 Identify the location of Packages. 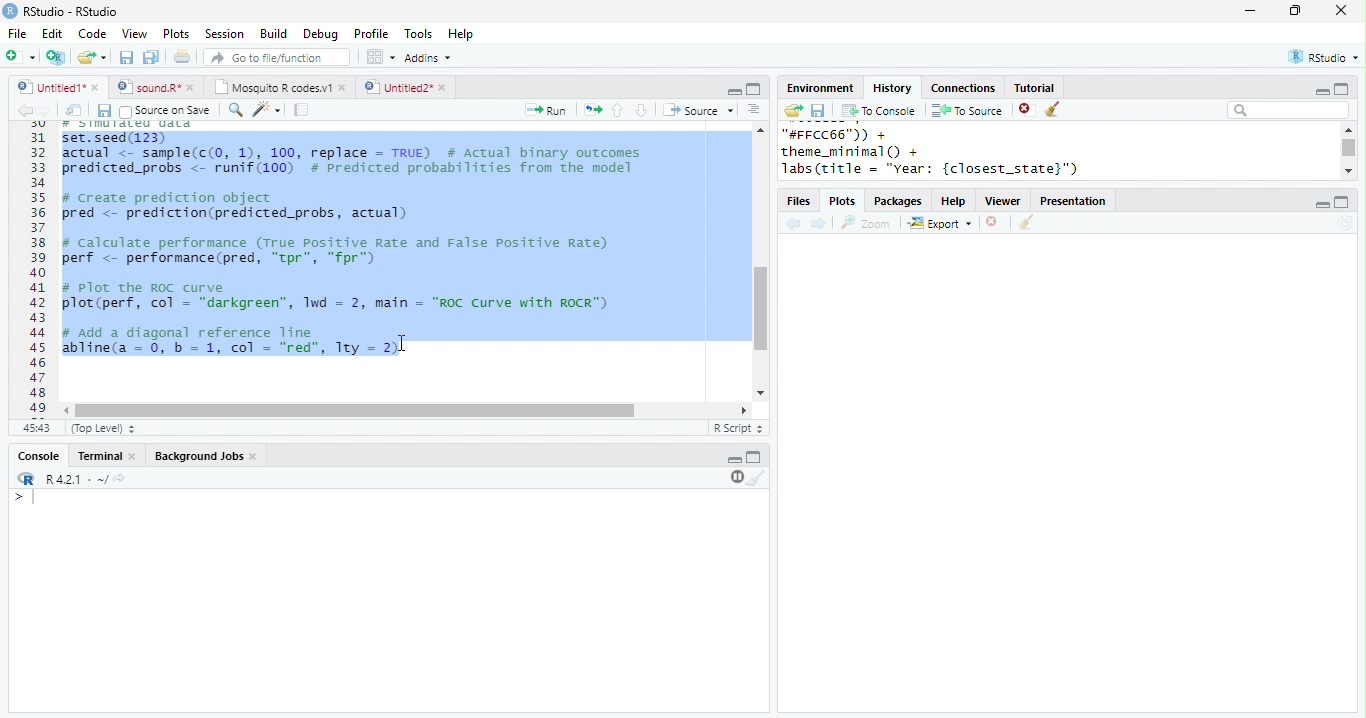
(898, 202).